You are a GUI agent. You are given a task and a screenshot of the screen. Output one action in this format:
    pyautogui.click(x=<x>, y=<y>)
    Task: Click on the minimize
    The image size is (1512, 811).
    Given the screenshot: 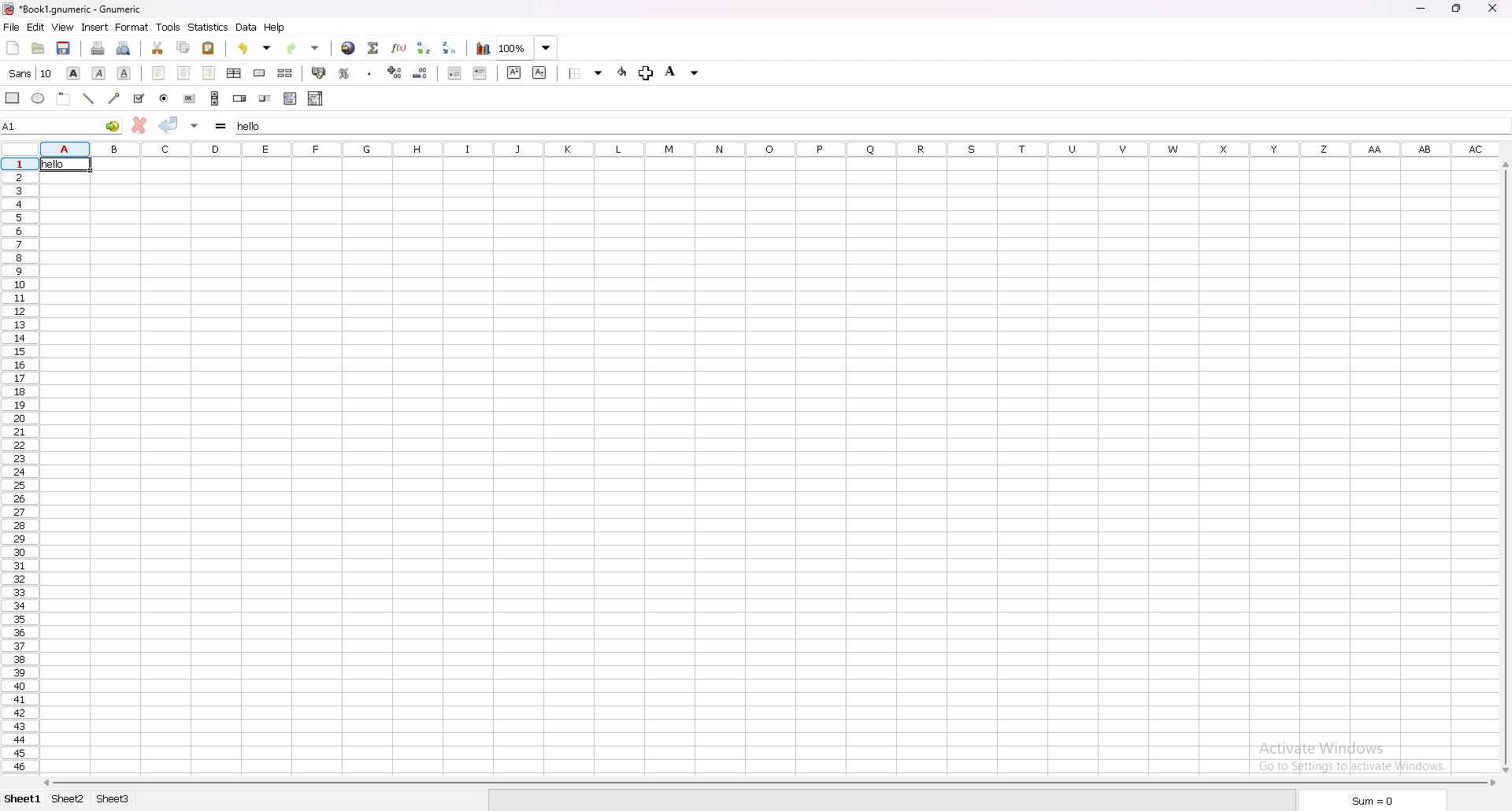 What is the action you would take?
    pyautogui.click(x=1420, y=8)
    